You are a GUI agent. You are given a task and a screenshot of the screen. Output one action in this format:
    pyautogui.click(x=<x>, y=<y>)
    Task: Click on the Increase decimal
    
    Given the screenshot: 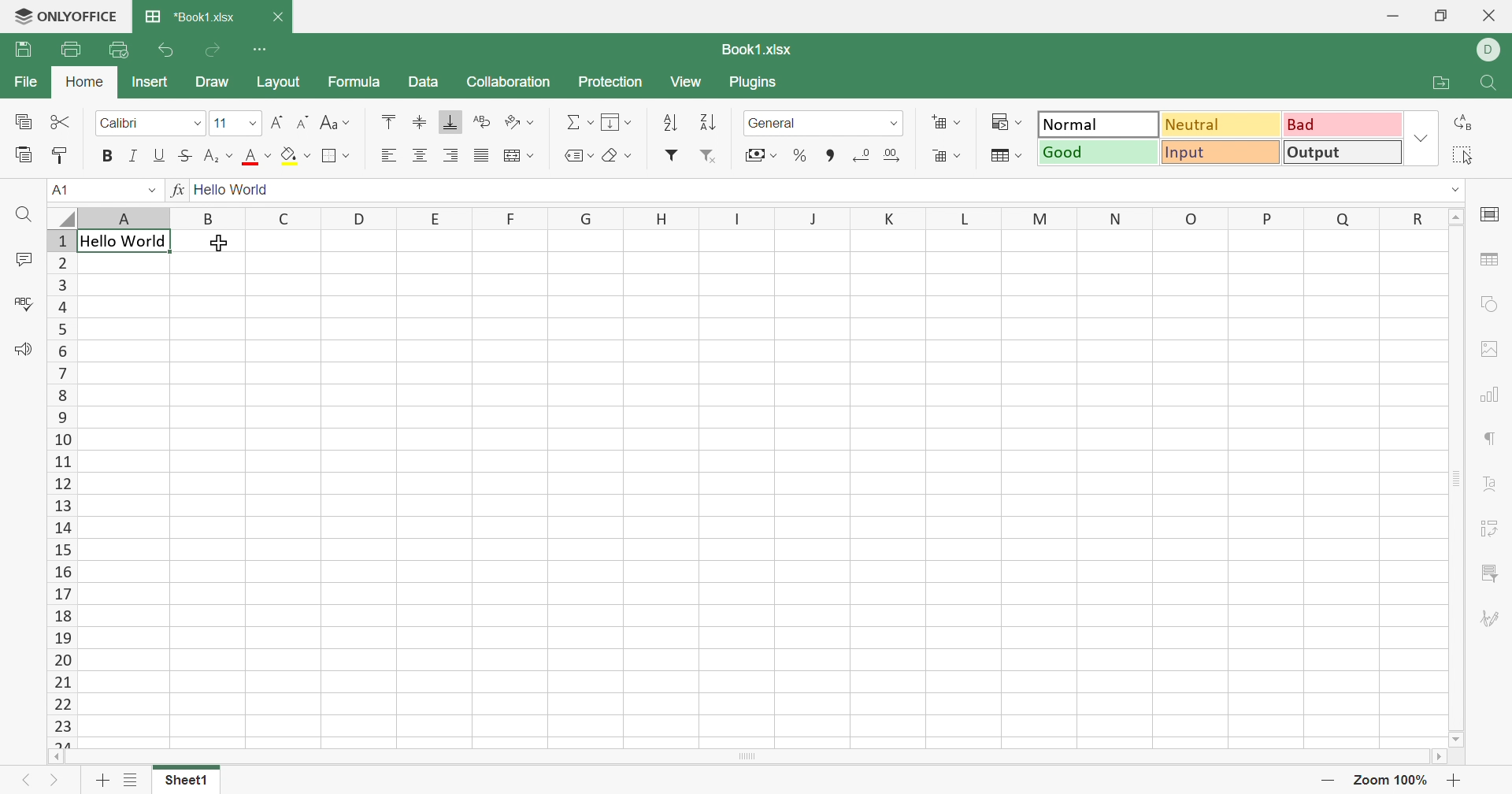 What is the action you would take?
    pyautogui.click(x=892, y=158)
    